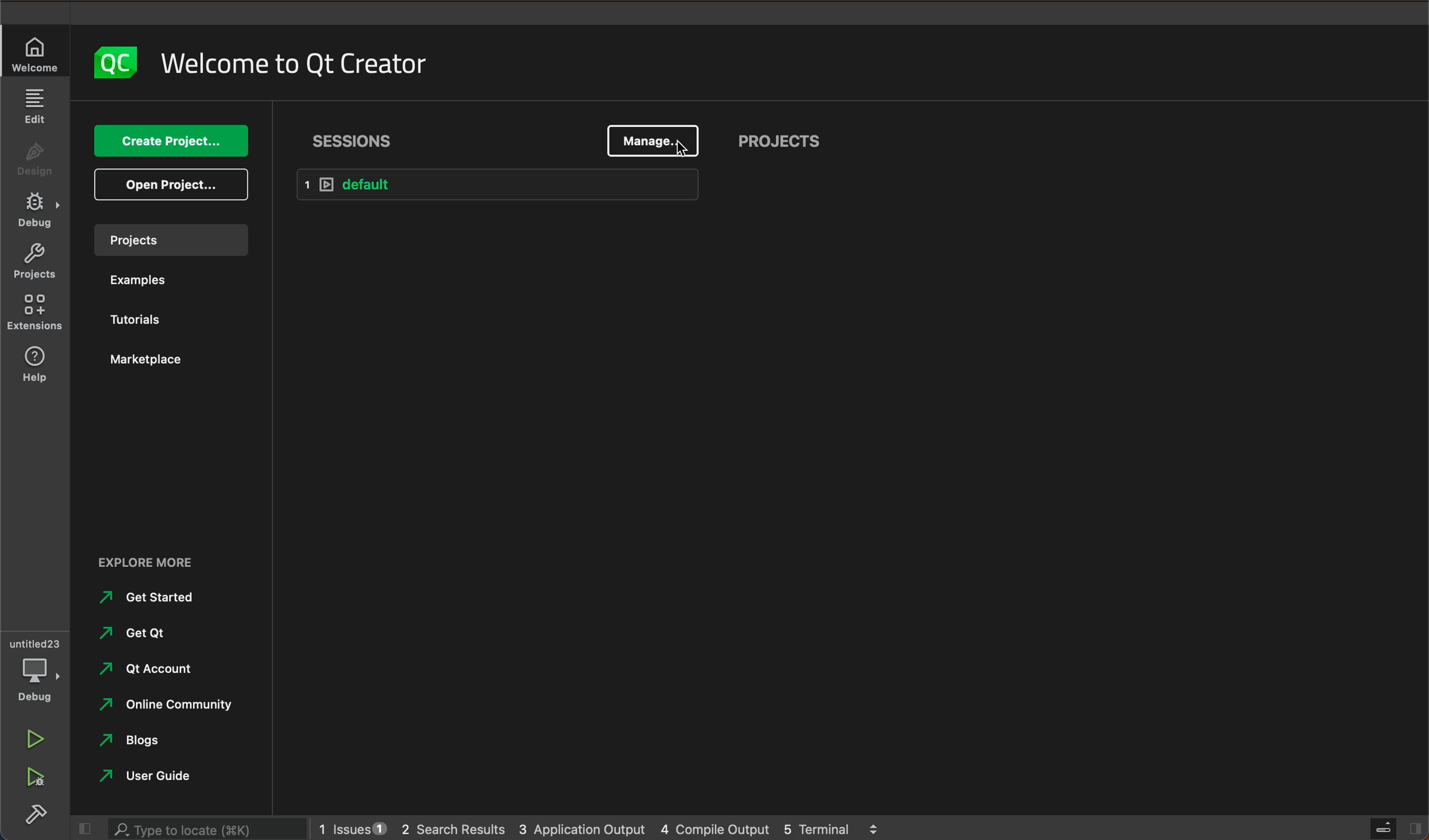 This screenshot has height=840, width=1429. What do you see at coordinates (832, 826) in the screenshot?
I see `terminal` at bounding box center [832, 826].